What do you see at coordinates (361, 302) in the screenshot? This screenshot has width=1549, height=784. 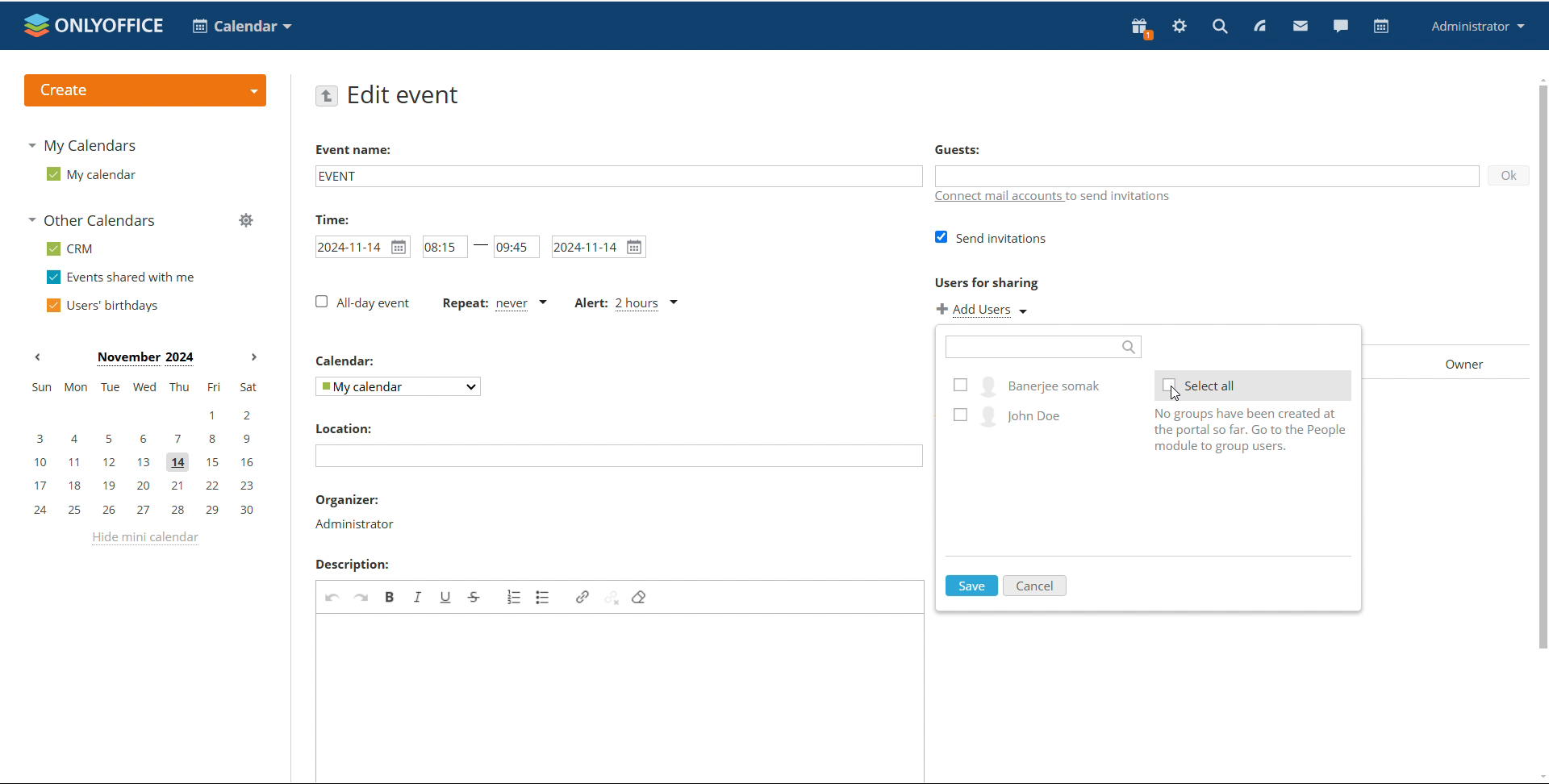 I see `all day event checkbox` at bounding box center [361, 302].